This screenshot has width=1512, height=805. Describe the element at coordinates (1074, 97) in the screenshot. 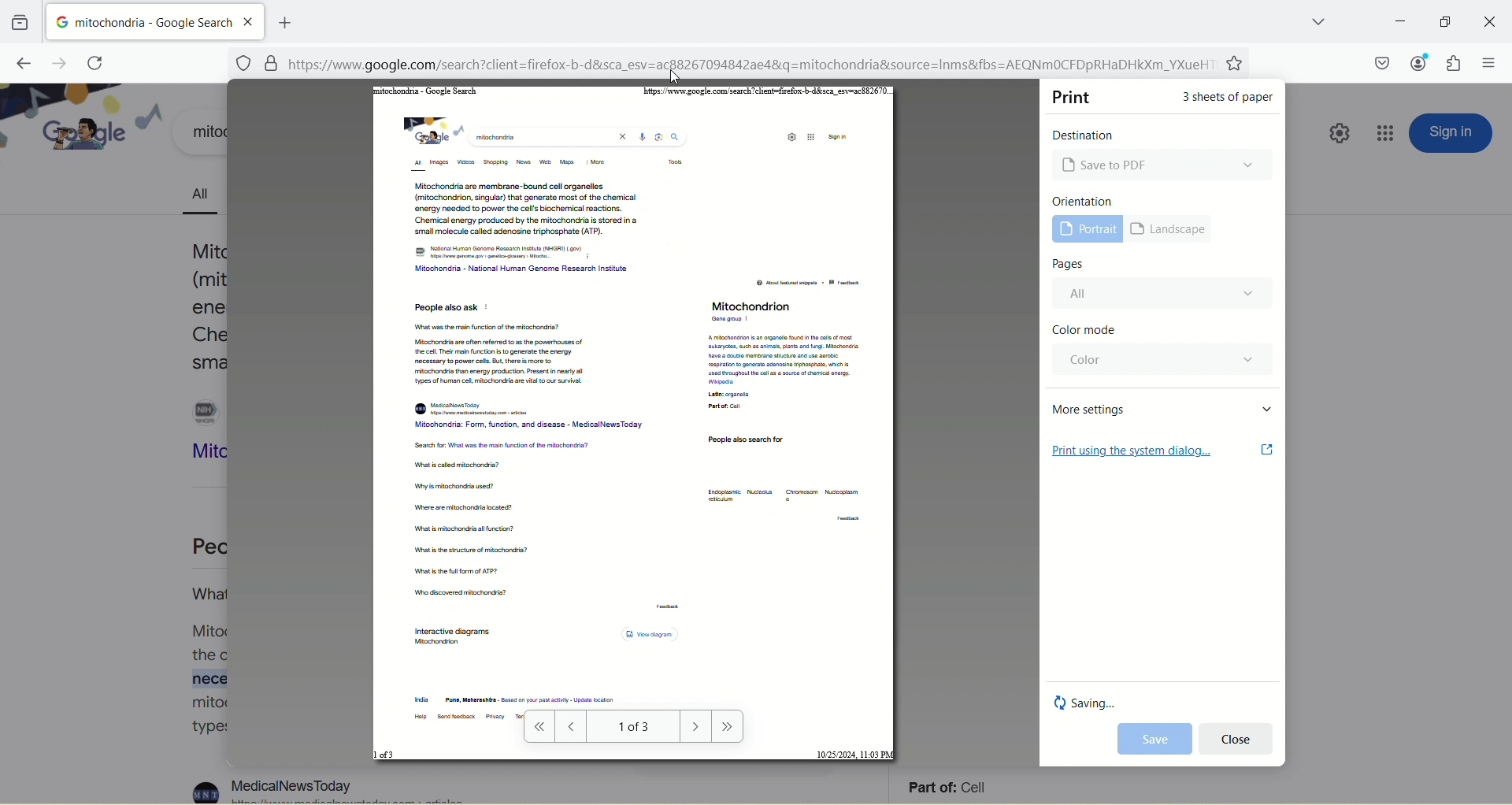

I see `print` at that location.